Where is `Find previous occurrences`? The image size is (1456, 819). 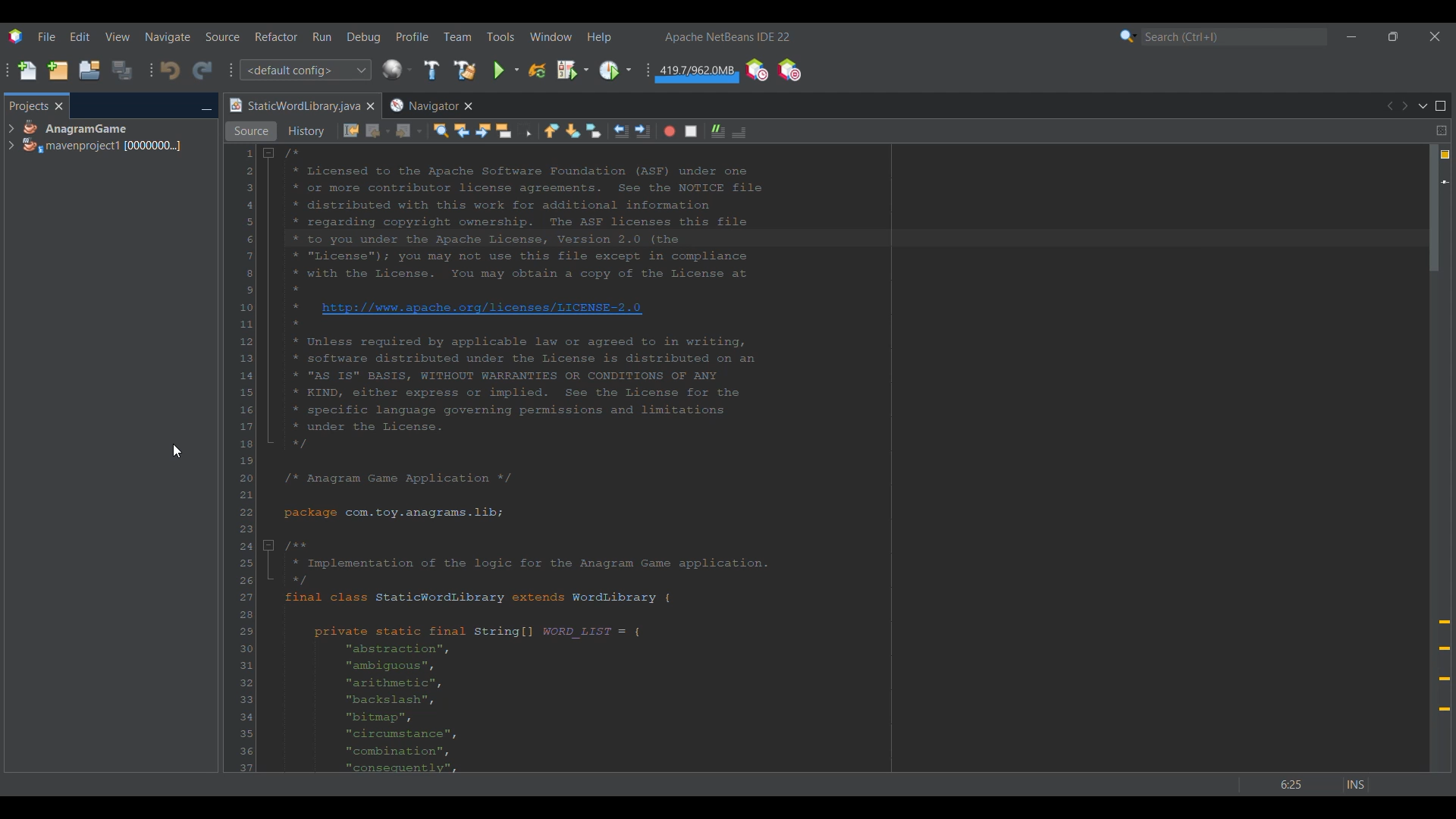
Find previous occurrences is located at coordinates (462, 130).